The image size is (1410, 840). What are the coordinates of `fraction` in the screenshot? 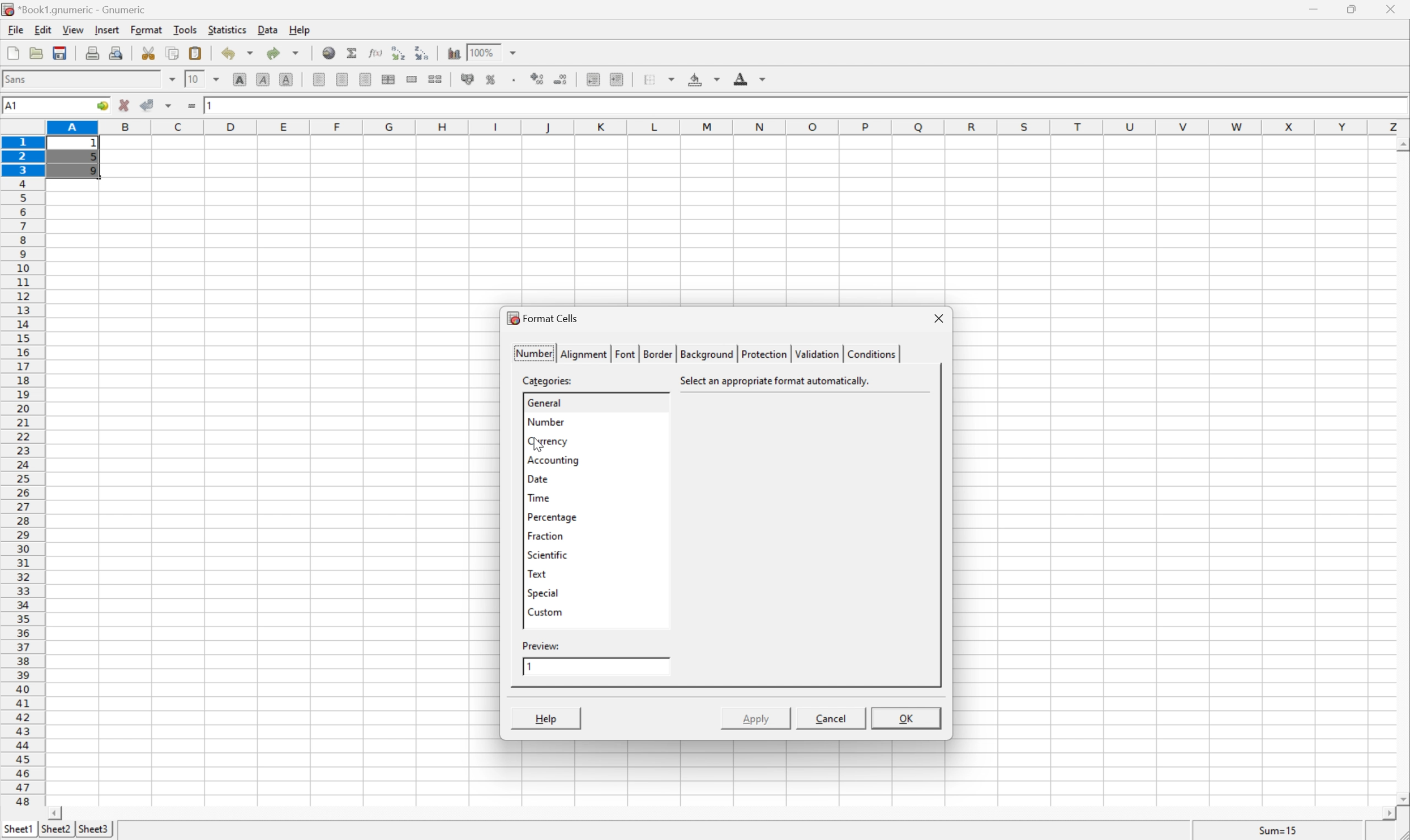 It's located at (545, 535).